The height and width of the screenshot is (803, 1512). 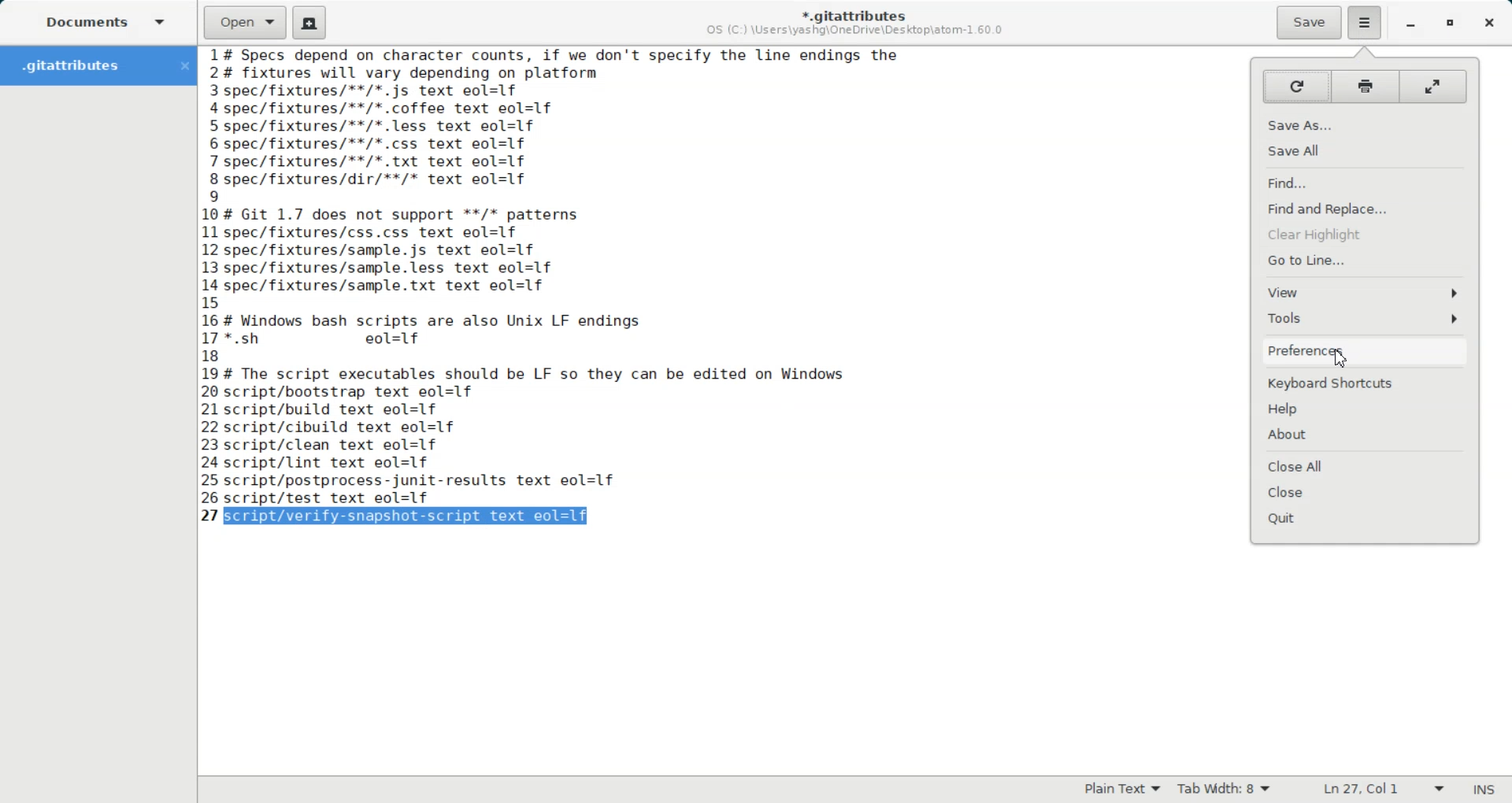 What do you see at coordinates (413, 516) in the screenshot?
I see `script/verify-snapshot-script text eol=lf (selected)` at bounding box center [413, 516].